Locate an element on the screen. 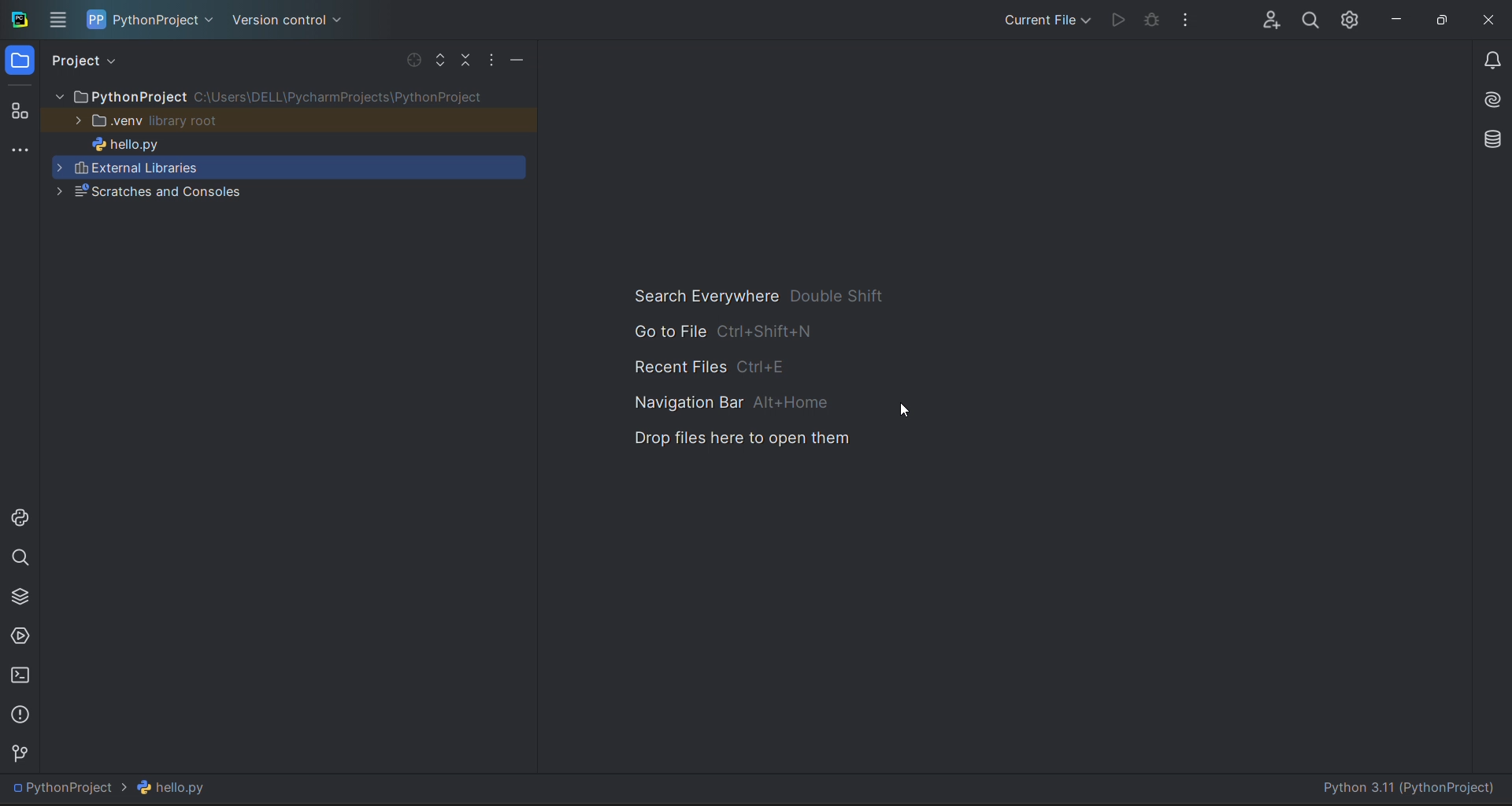 Image resolution: width=1512 pixels, height=806 pixels. settings is located at coordinates (1351, 17).